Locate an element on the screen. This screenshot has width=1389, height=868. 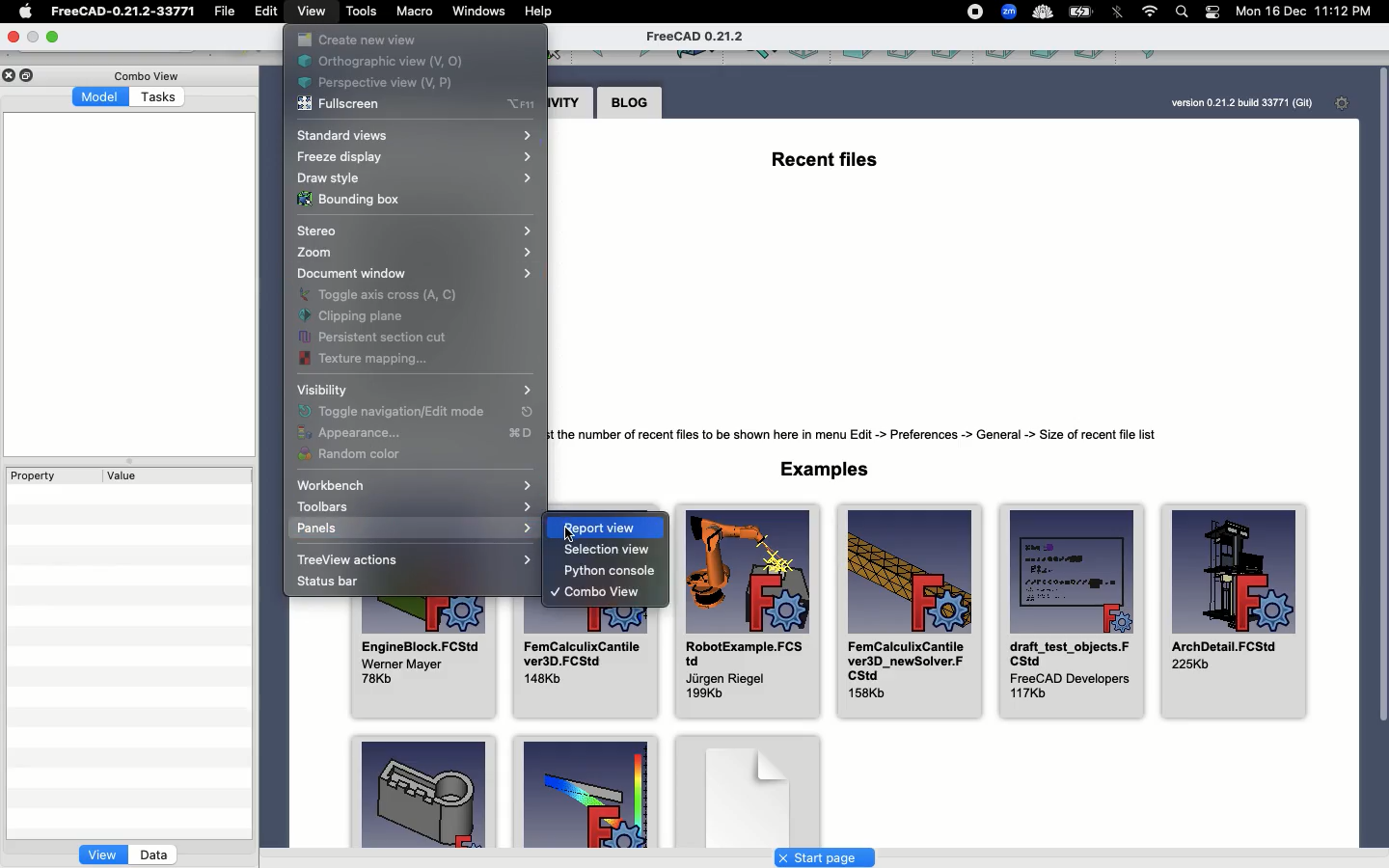
FemCalculixCantilever3D.FCStd 148Kb, is located at coordinates (587, 664).